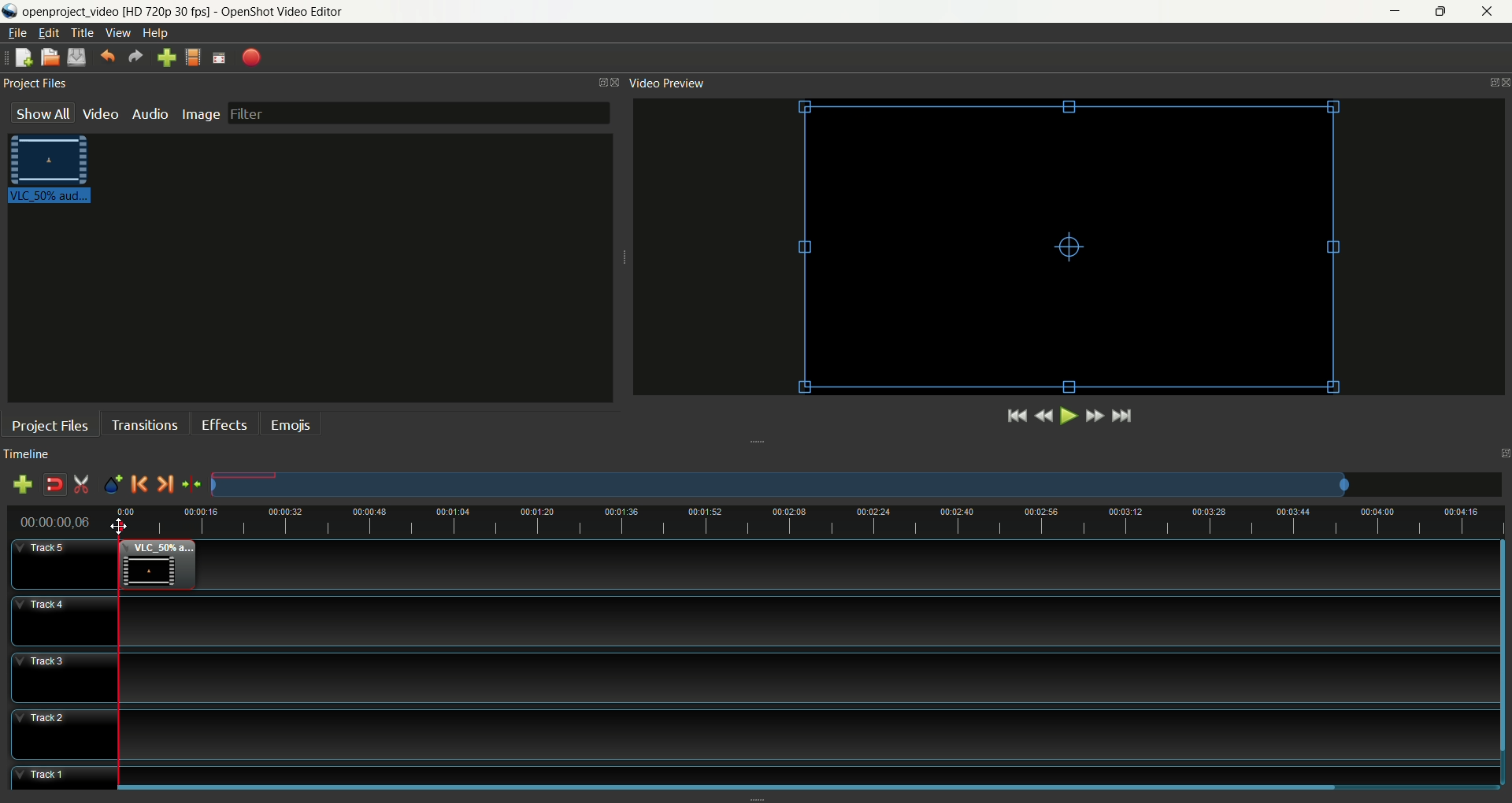 The height and width of the screenshot is (803, 1512). What do you see at coordinates (51, 426) in the screenshot?
I see `project files` at bounding box center [51, 426].